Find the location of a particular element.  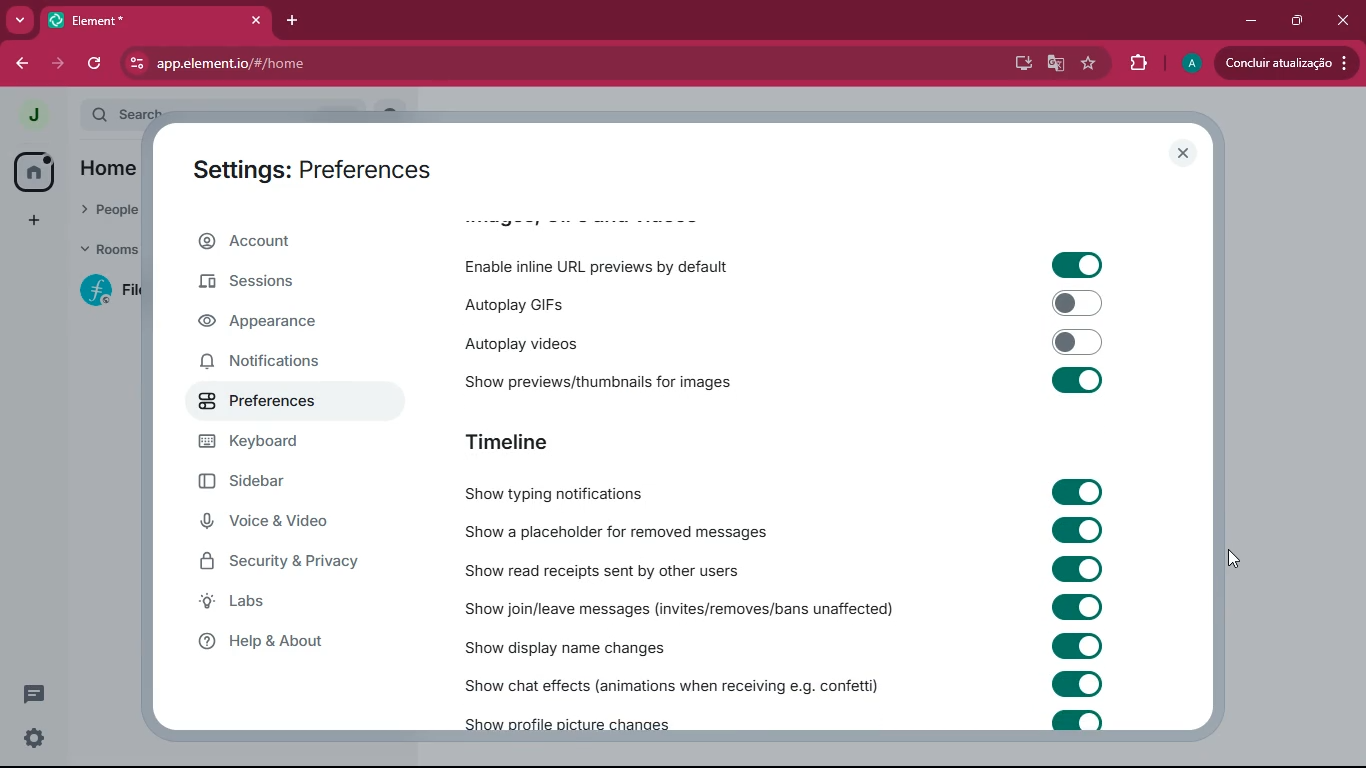

settings: preferences is located at coordinates (310, 169).